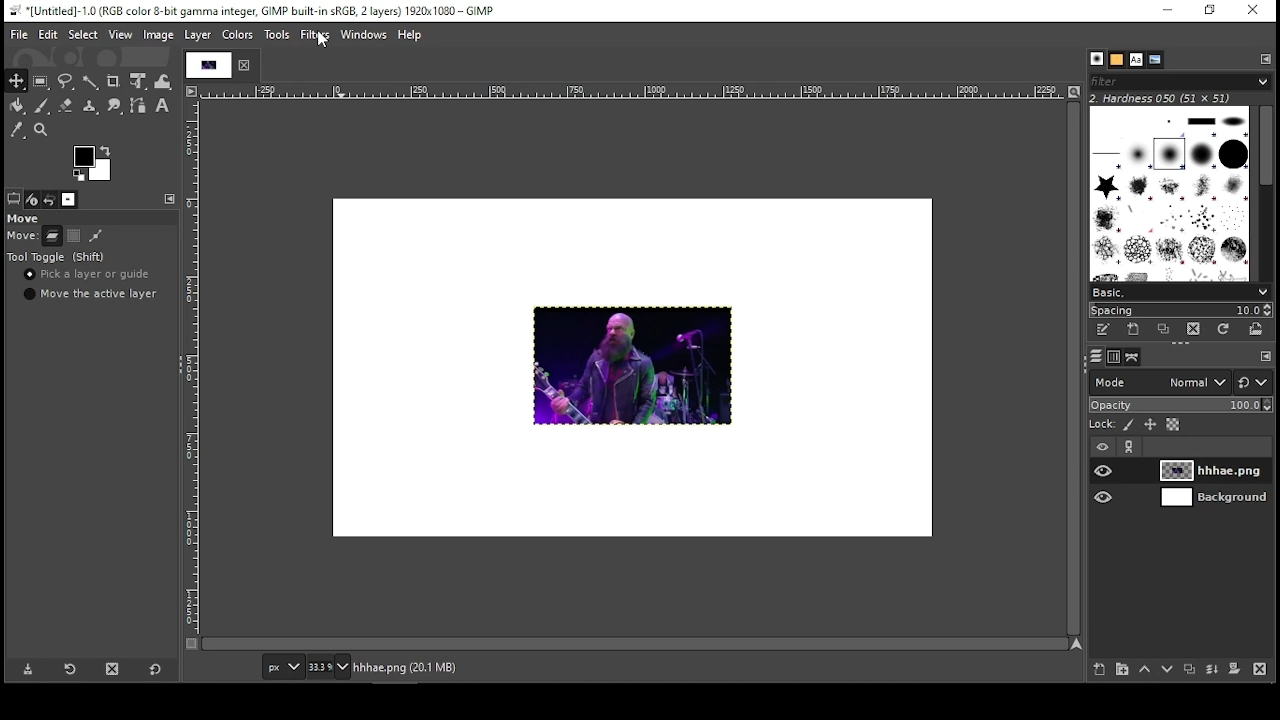  Describe the element at coordinates (1171, 193) in the screenshot. I see `brushes` at that location.